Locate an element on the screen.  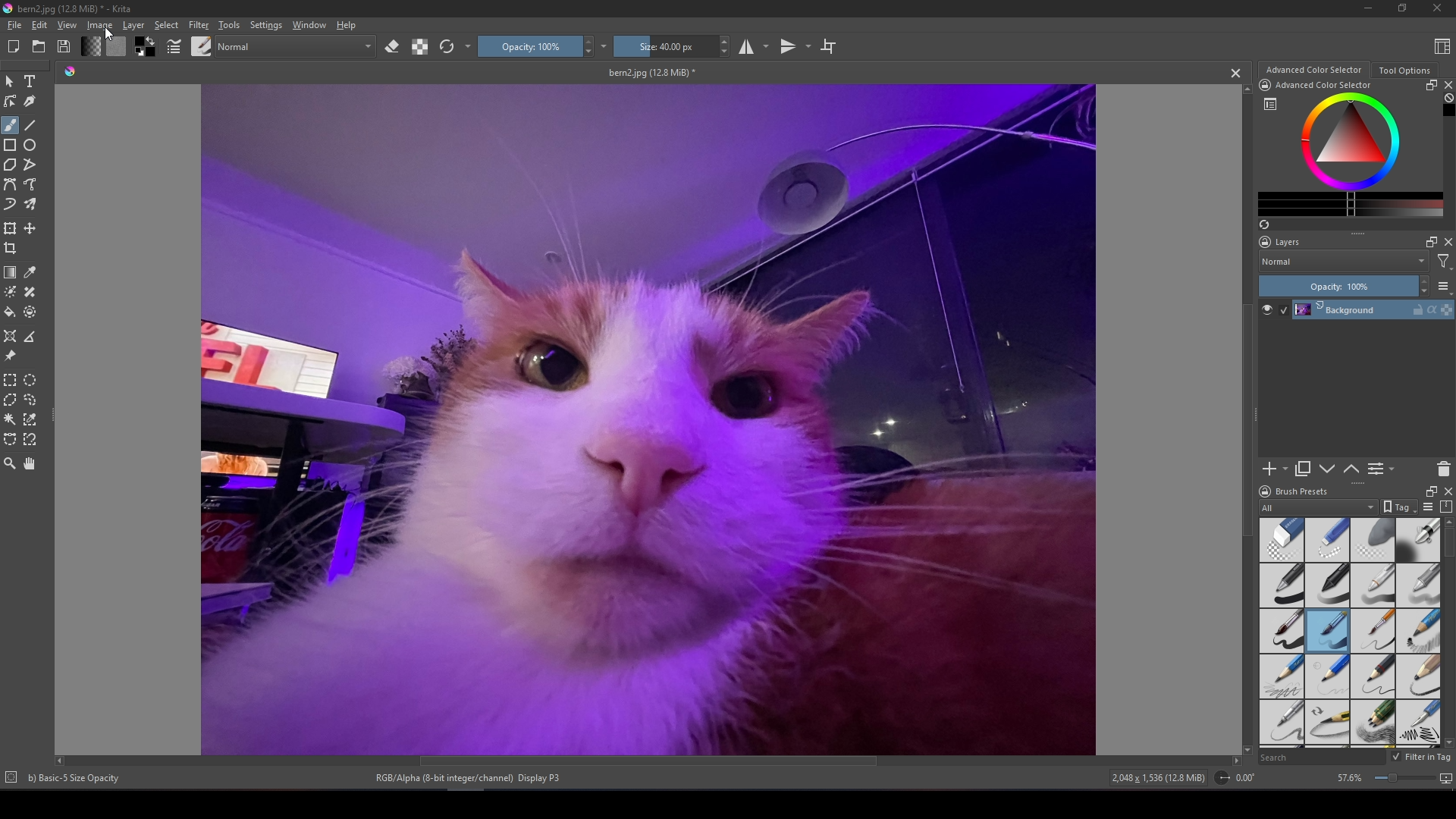
Select shapes tool is located at coordinates (10, 82).